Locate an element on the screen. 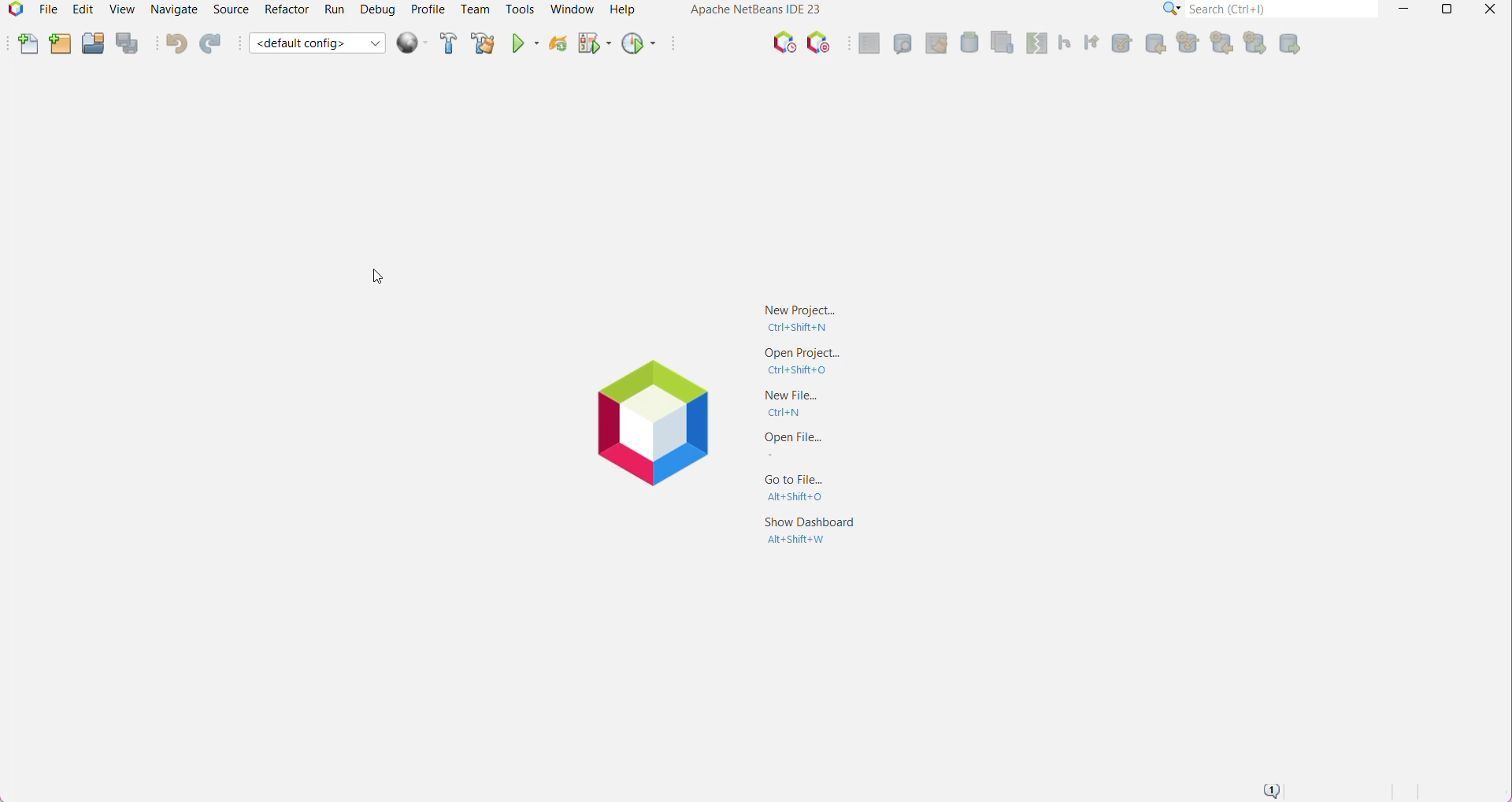 This screenshot has height=802, width=1512. Navigate is located at coordinates (176, 9).